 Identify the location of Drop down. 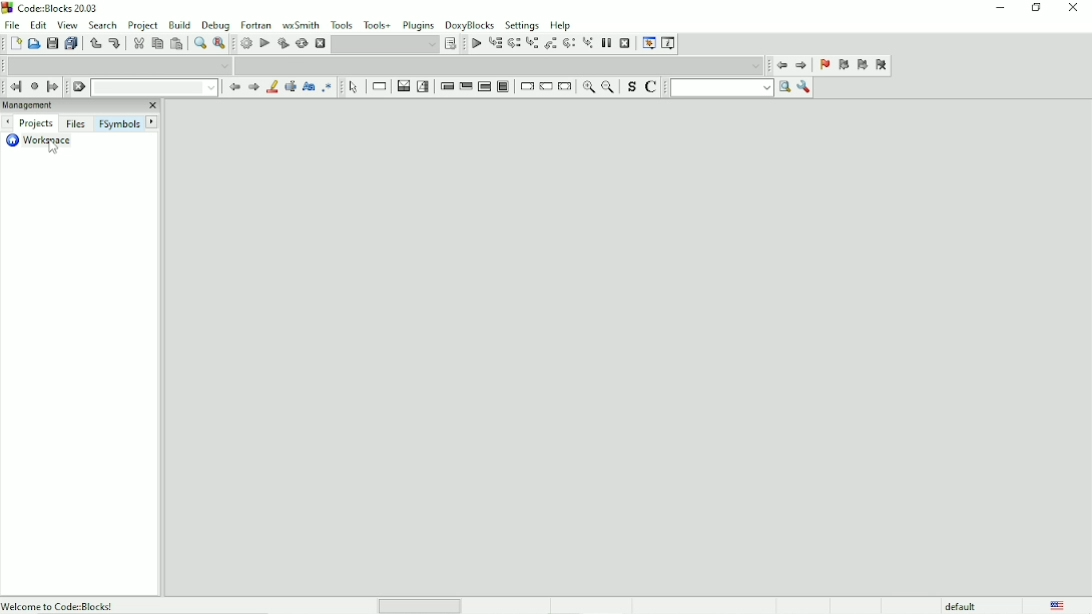
(120, 65).